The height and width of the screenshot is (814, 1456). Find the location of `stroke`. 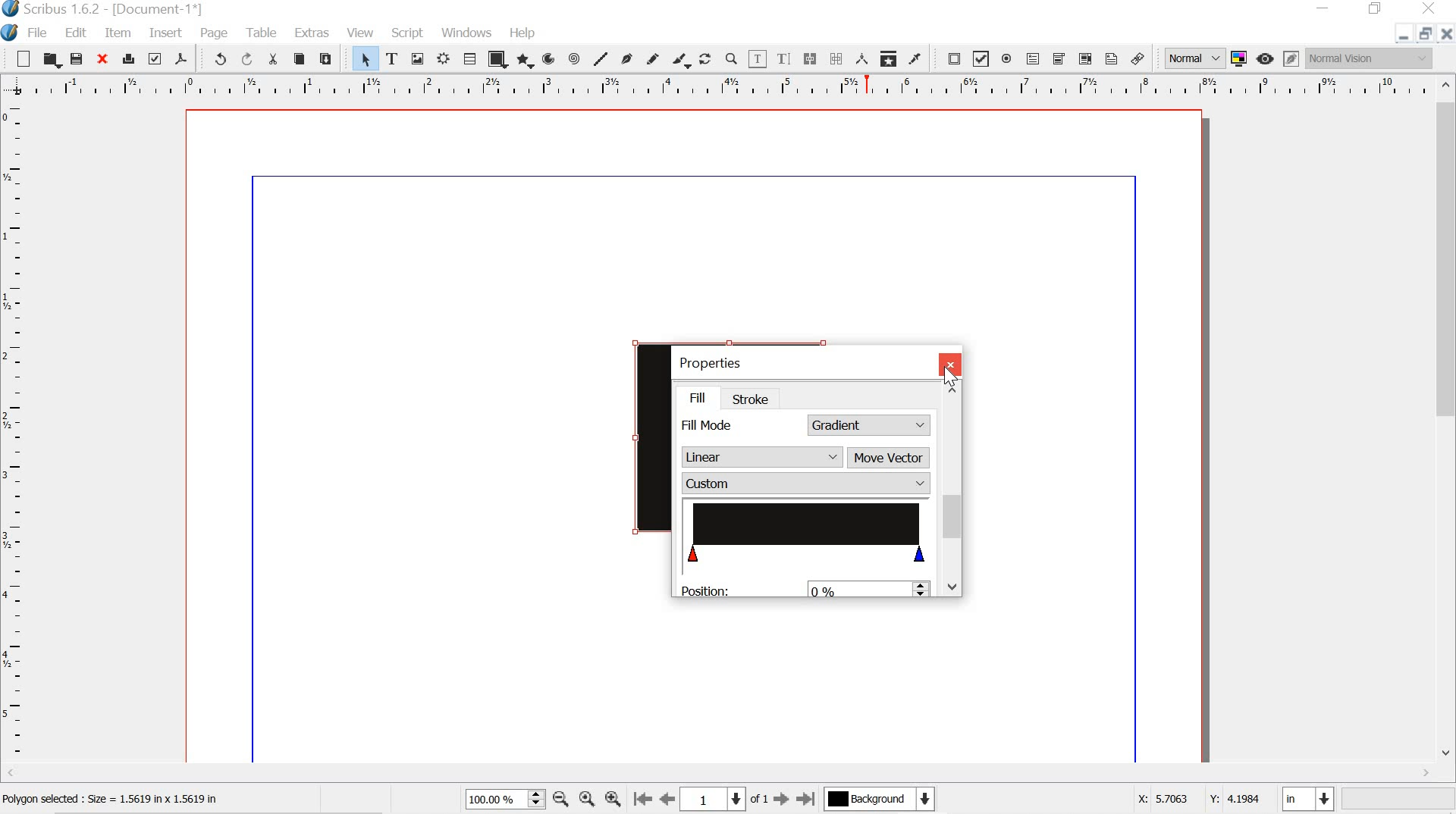

stroke is located at coordinates (755, 399).